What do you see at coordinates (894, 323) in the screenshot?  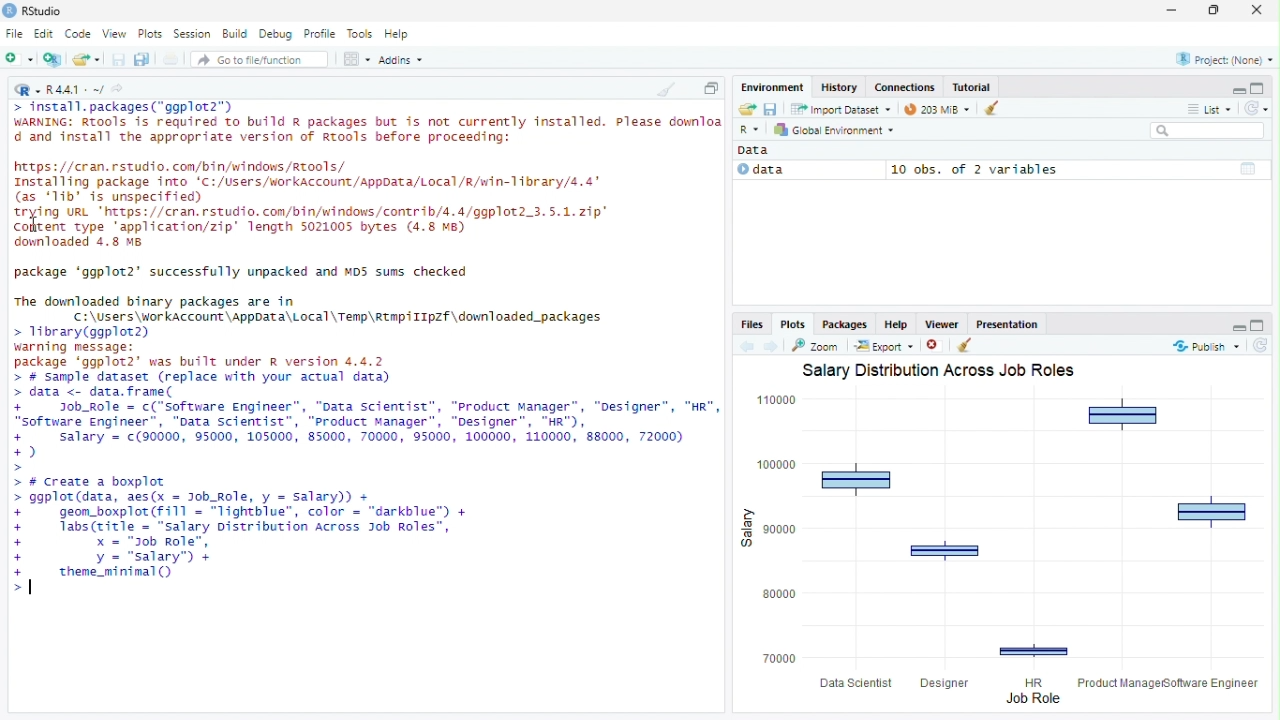 I see `help` at bounding box center [894, 323].